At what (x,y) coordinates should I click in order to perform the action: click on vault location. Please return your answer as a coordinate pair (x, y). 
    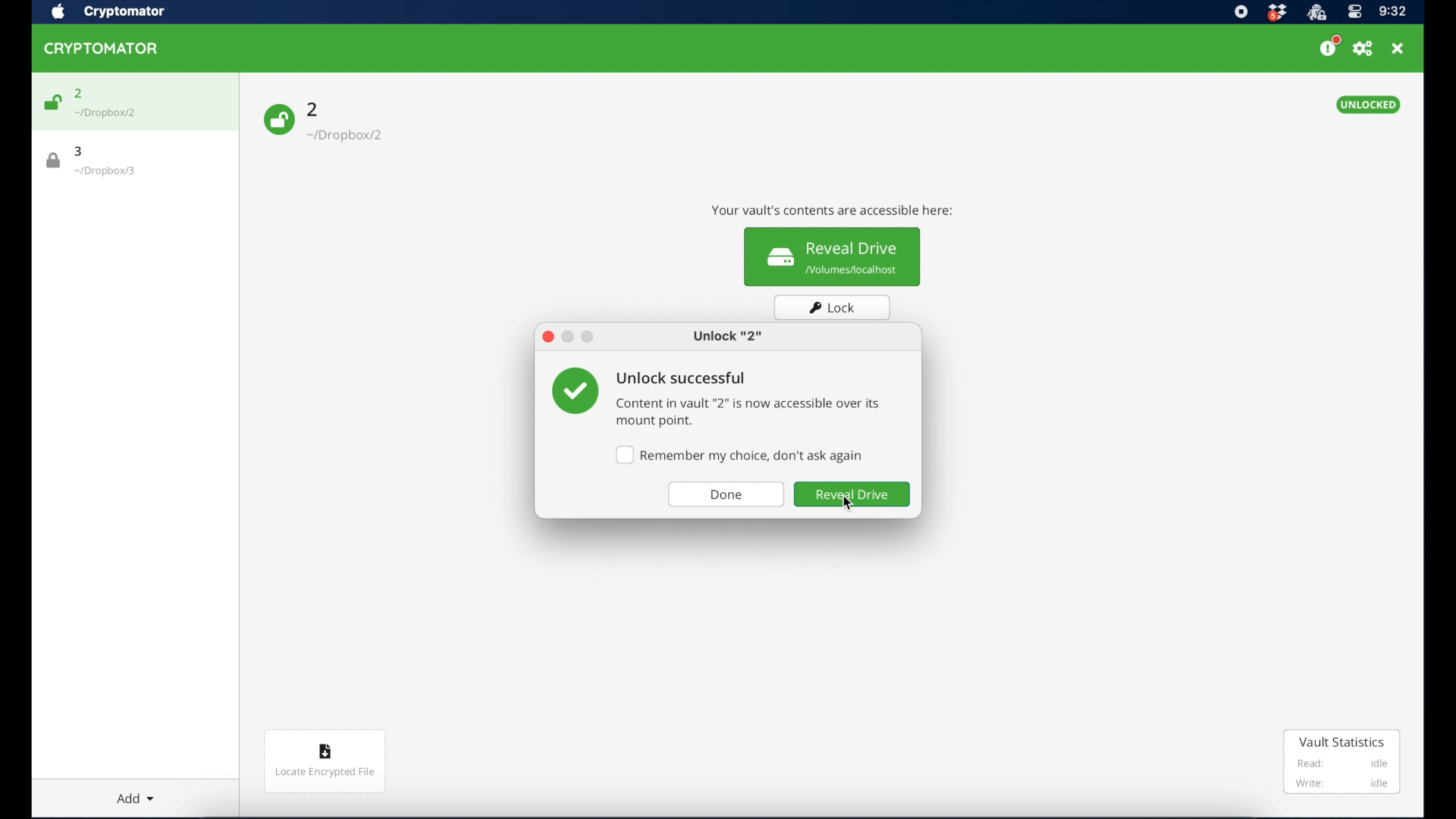
    Looking at the image, I should click on (111, 114).